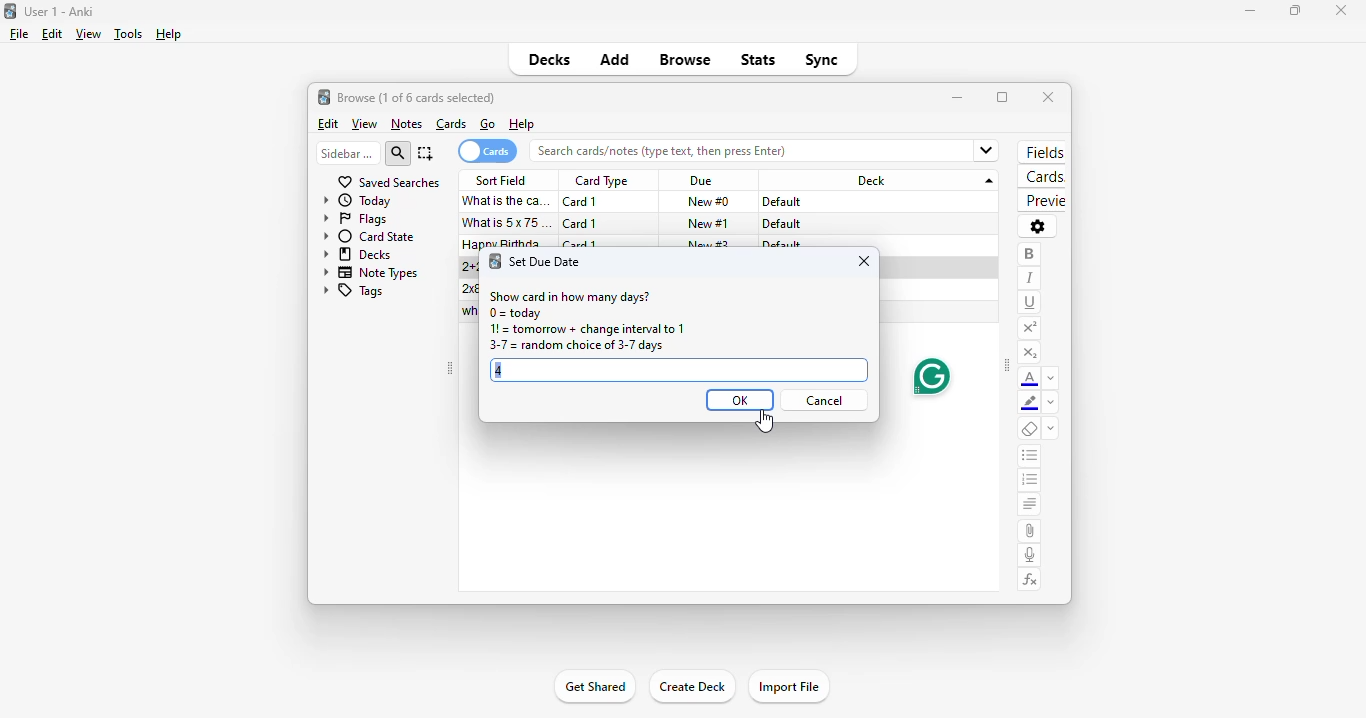 The image size is (1366, 718). I want to click on set due date, so click(546, 261).